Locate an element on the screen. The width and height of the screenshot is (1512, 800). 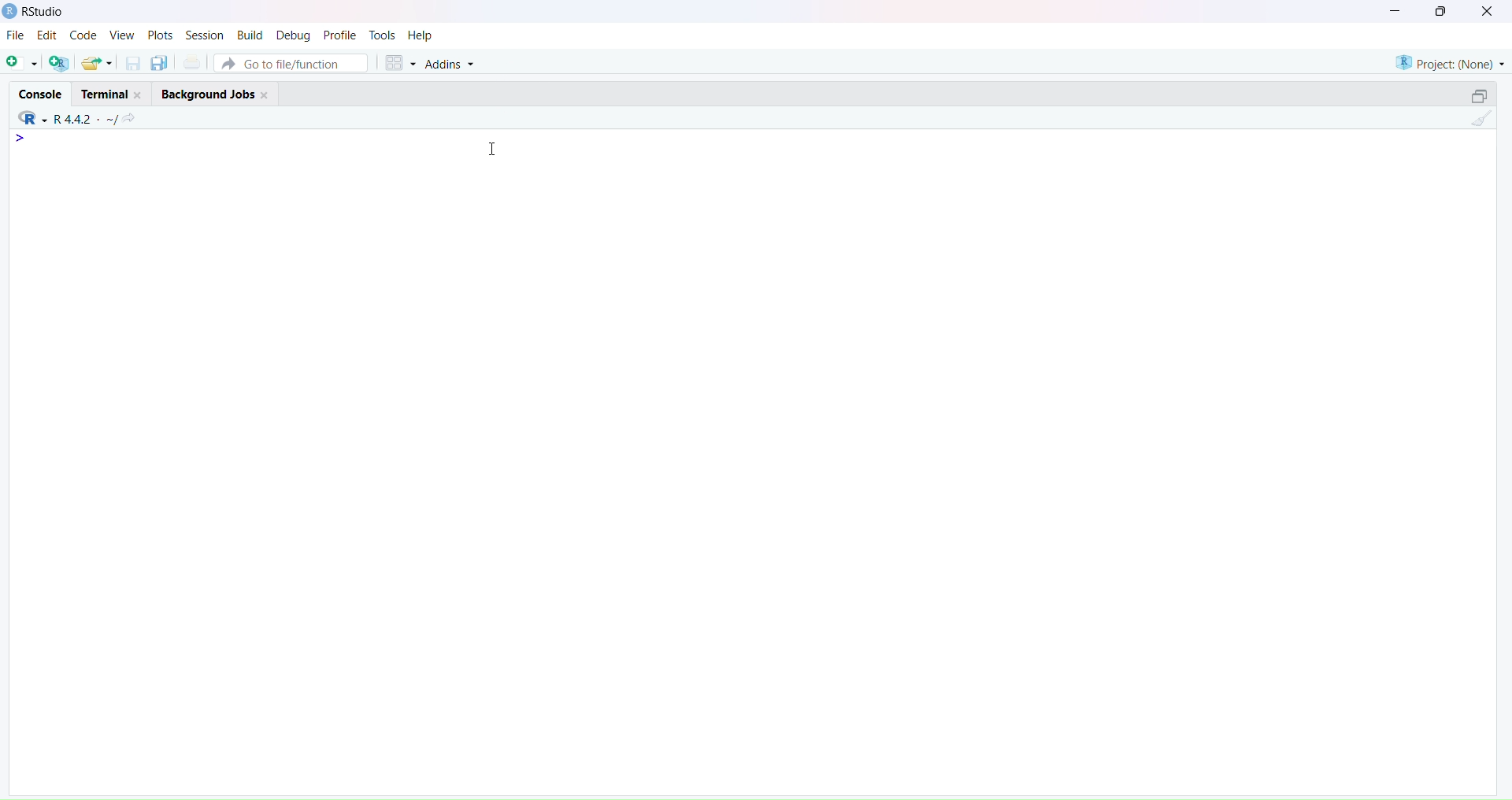
close is located at coordinates (1488, 12).